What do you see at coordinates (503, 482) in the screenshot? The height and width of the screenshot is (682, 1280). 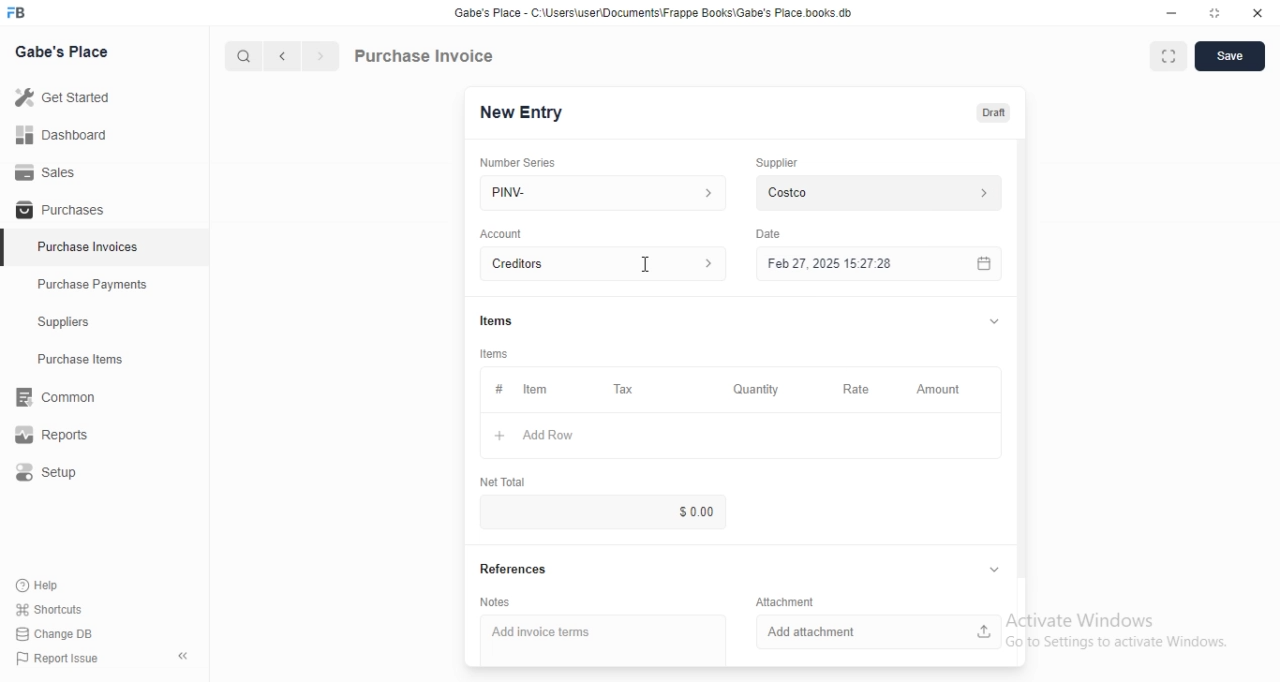 I see `Net Total` at bounding box center [503, 482].